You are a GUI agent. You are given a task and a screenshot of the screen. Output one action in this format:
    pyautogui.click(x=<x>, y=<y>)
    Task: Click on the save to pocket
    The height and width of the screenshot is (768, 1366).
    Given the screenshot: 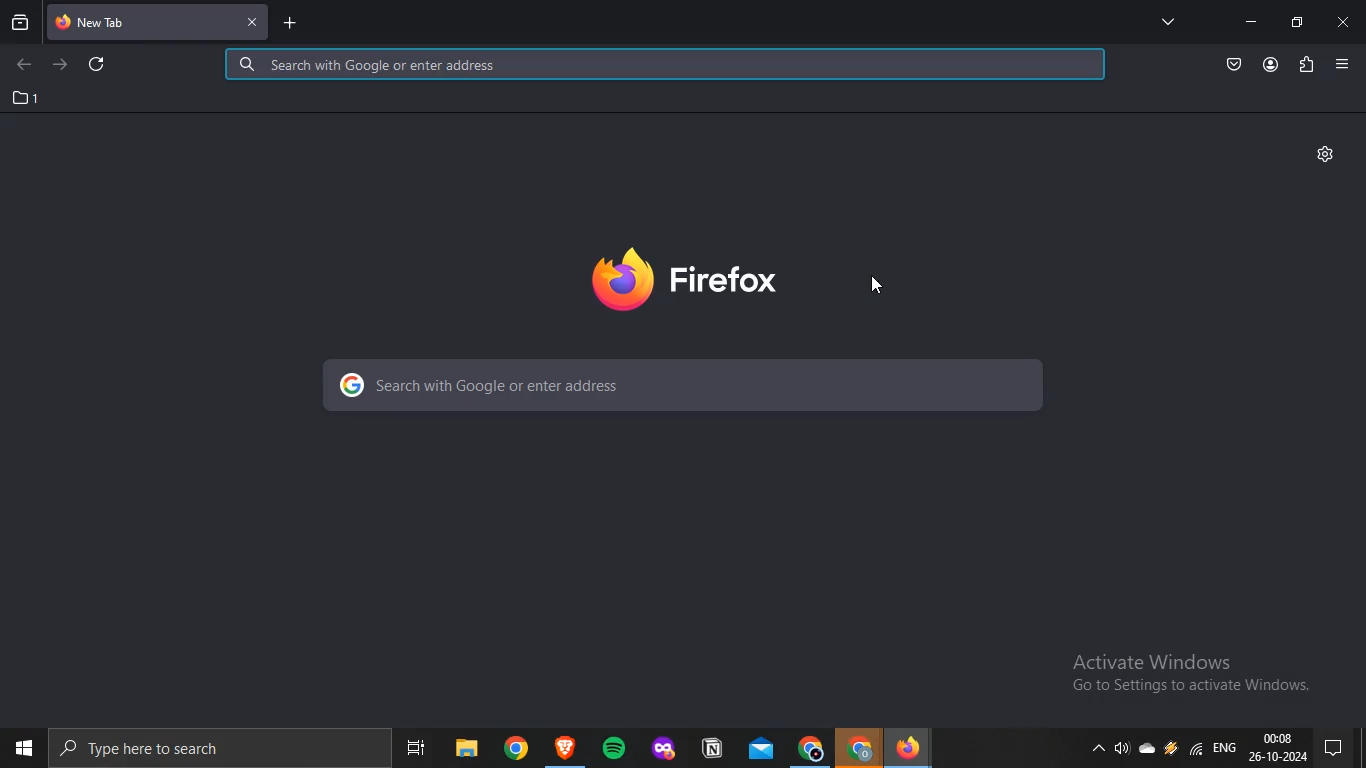 What is the action you would take?
    pyautogui.click(x=1235, y=66)
    